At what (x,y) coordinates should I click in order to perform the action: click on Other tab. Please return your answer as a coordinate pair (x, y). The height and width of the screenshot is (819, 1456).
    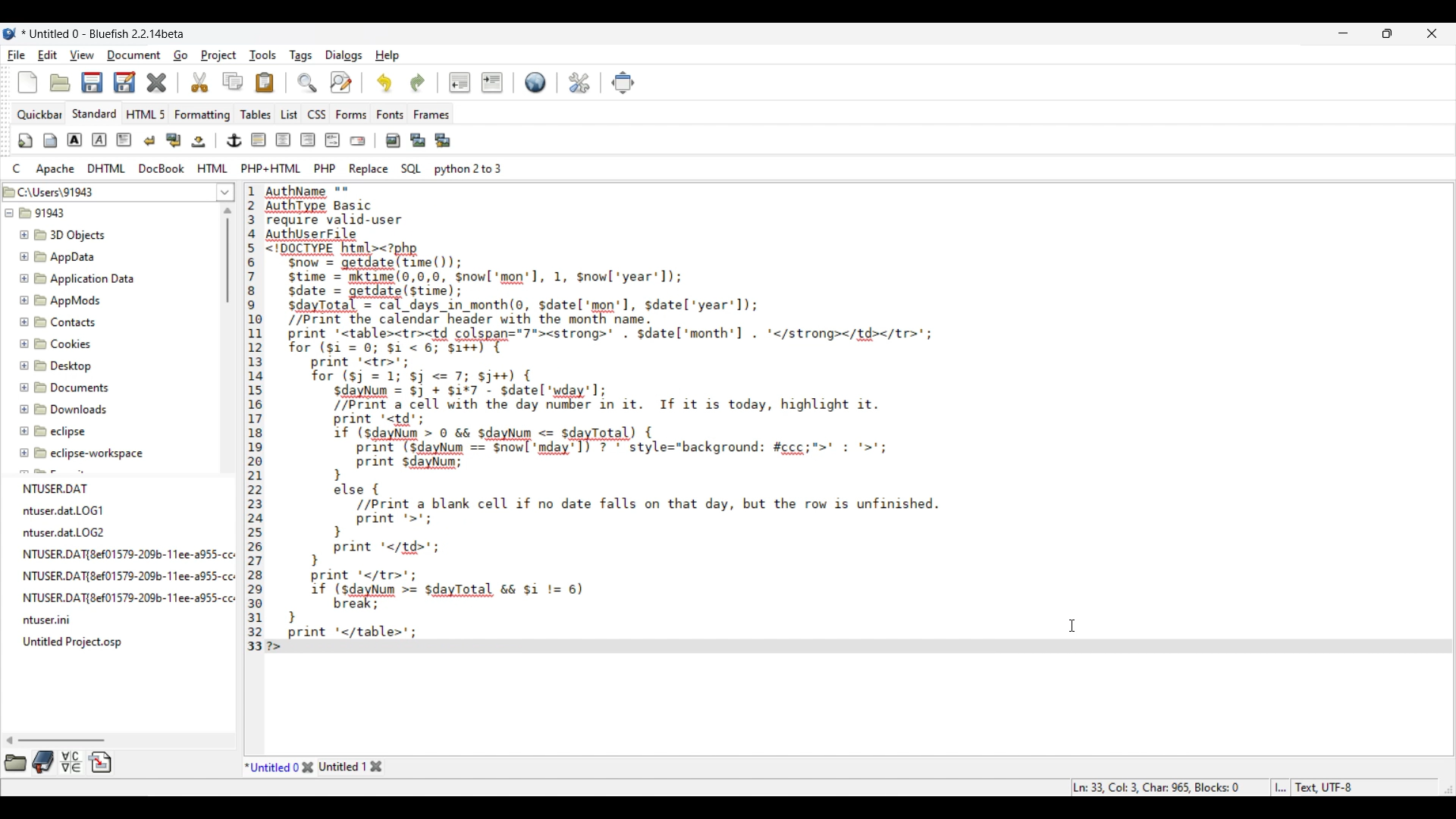
    Looking at the image, I should click on (350, 766).